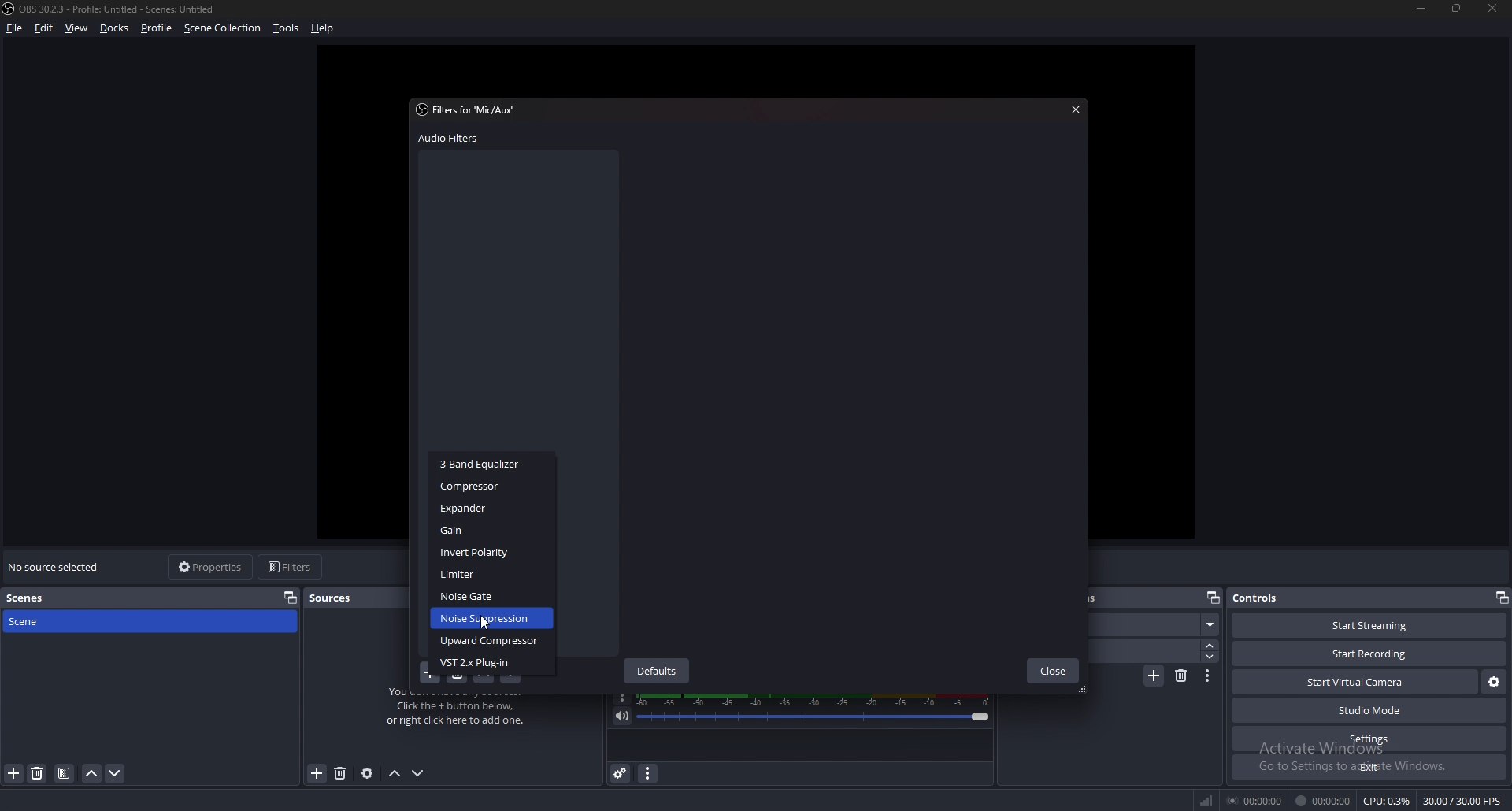  I want to click on Upward Compressor, so click(493, 641).